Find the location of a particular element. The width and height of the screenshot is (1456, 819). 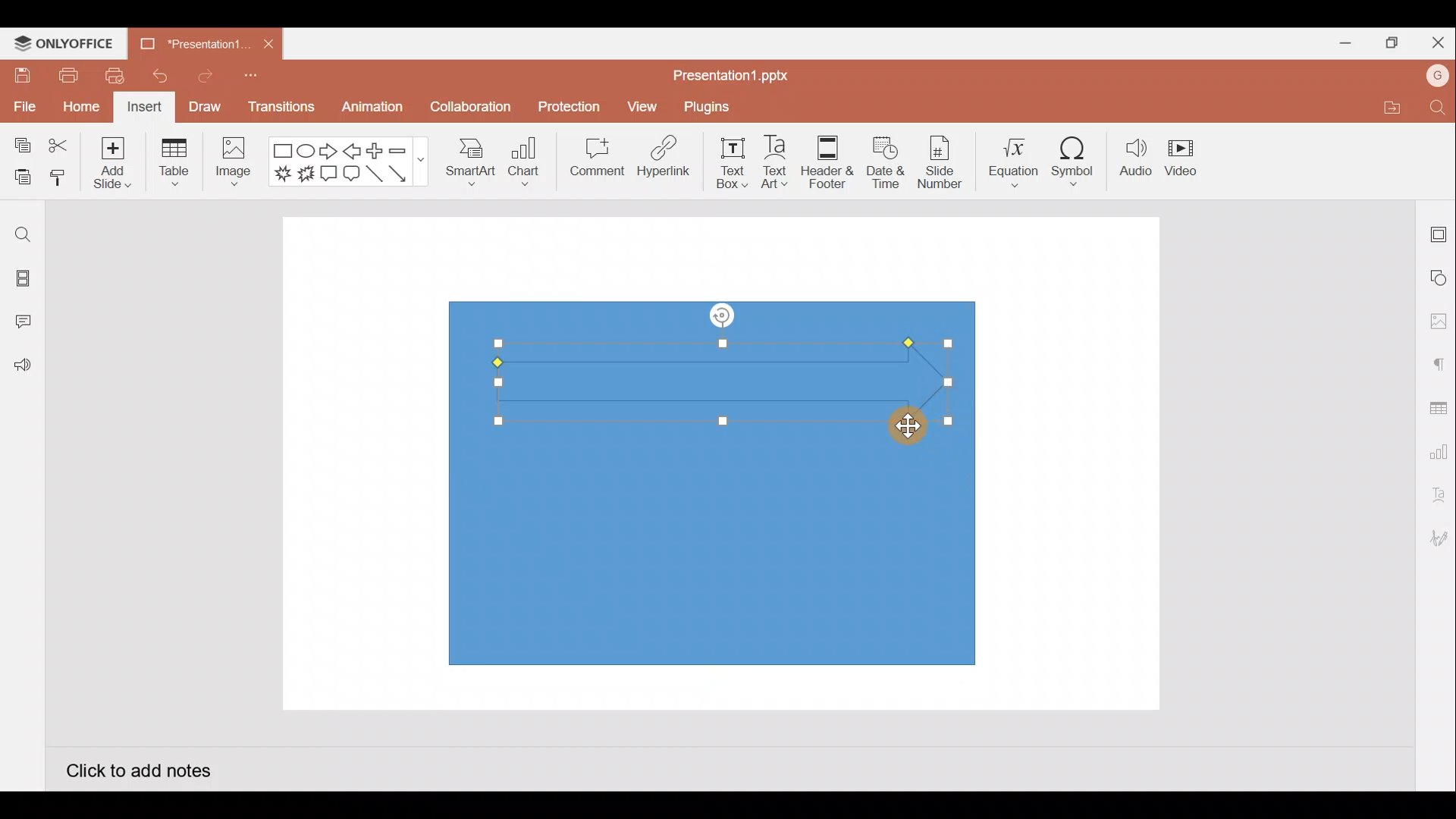

Slide settings is located at coordinates (1439, 231).